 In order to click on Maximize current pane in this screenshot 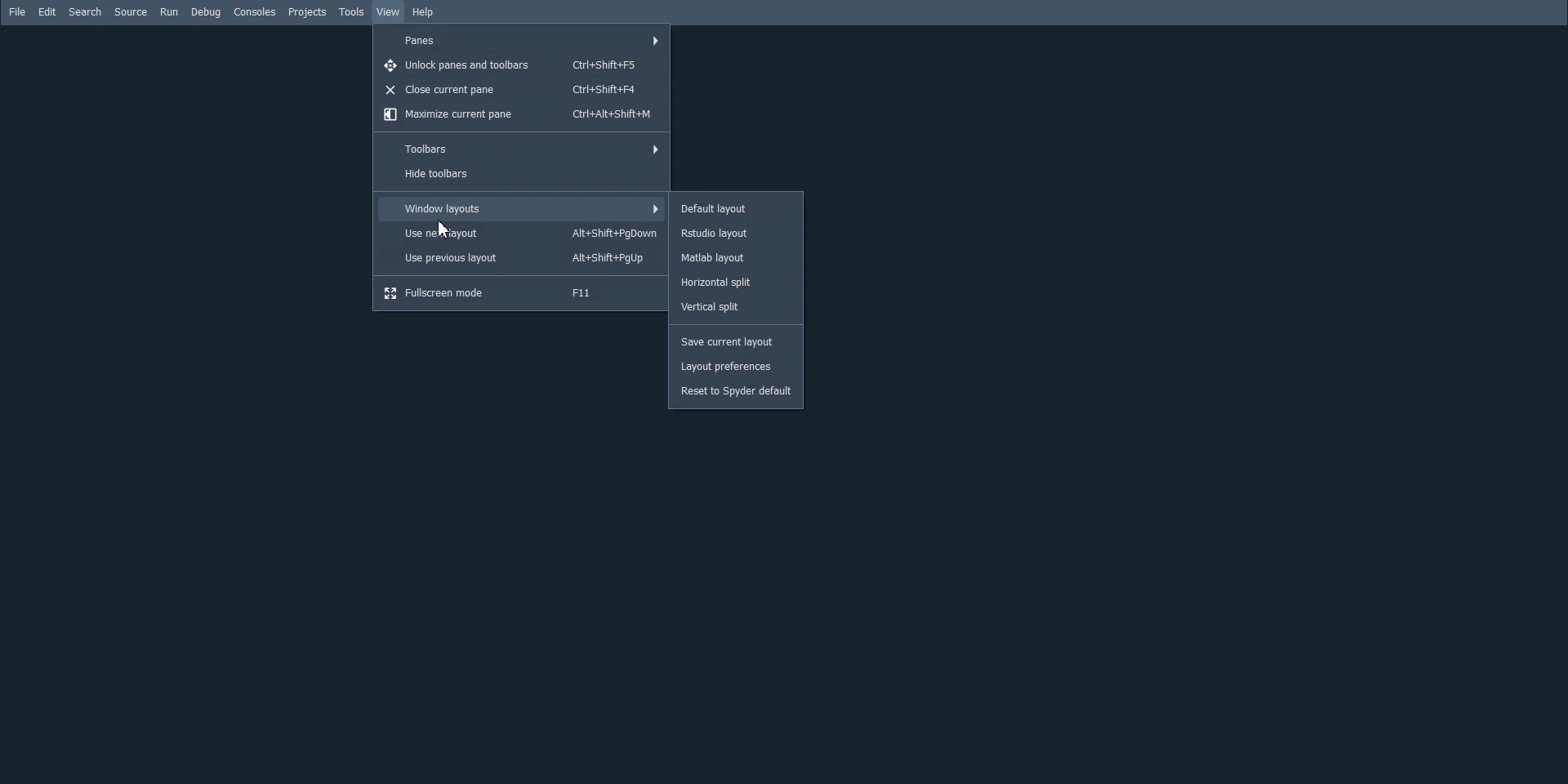, I will do `click(519, 115)`.